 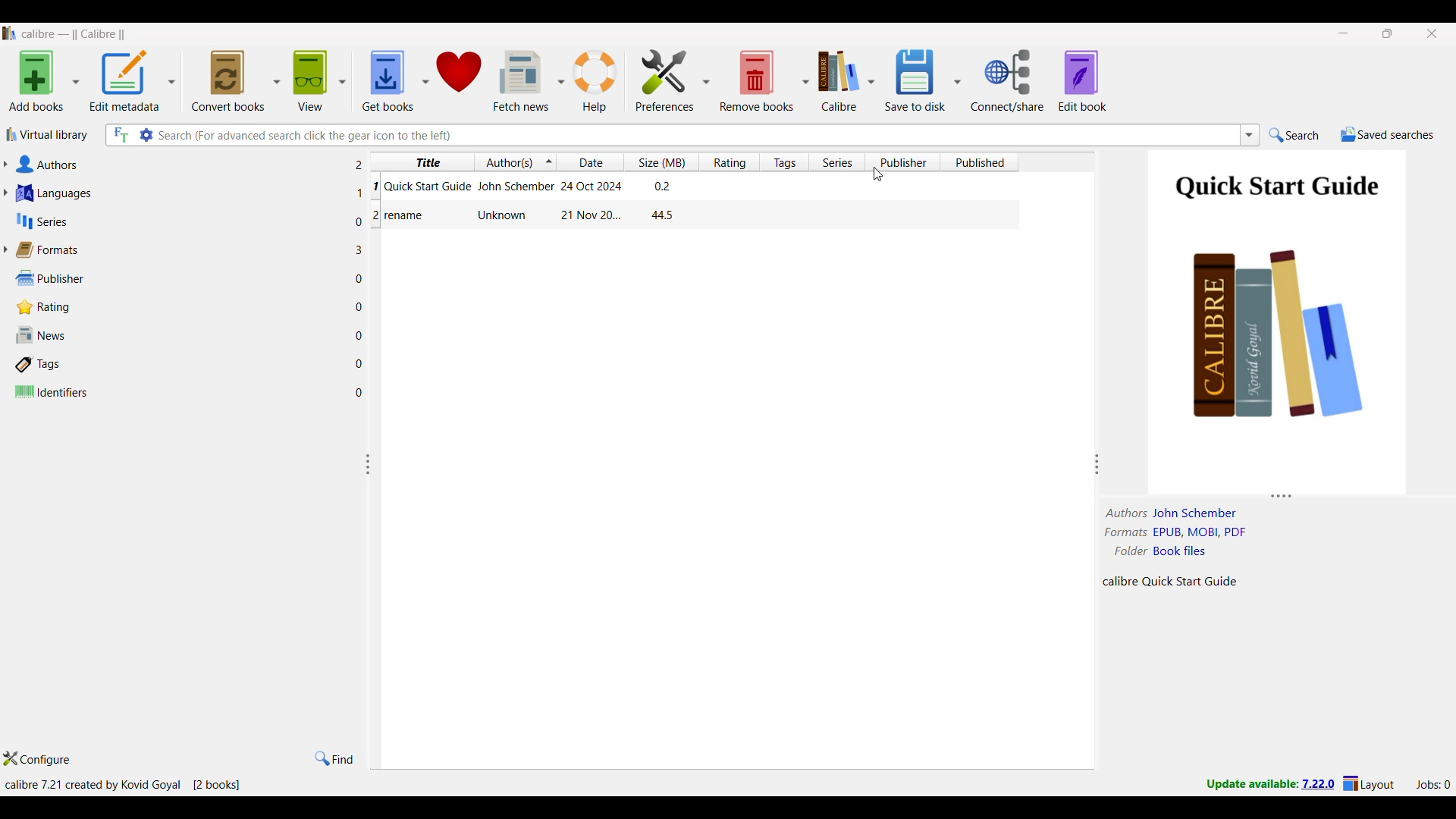 I want to click on 3, so click(x=362, y=249).